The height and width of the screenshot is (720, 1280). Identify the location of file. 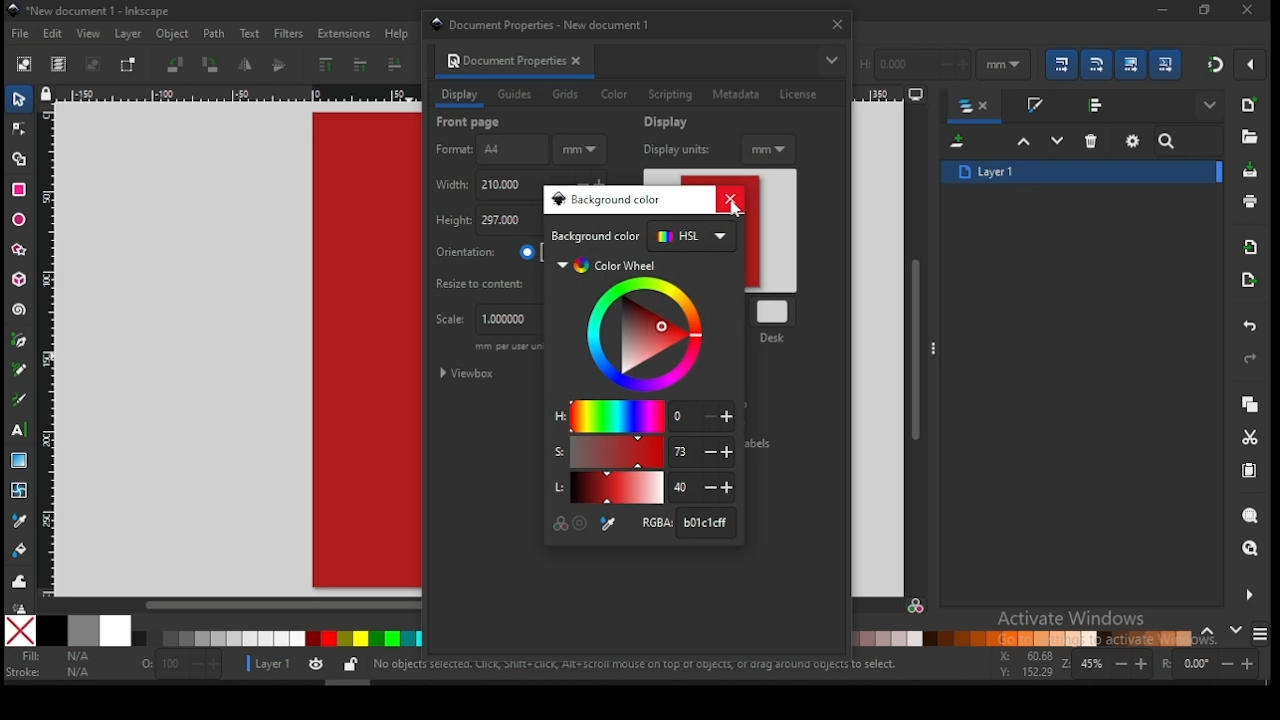
(20, 36).